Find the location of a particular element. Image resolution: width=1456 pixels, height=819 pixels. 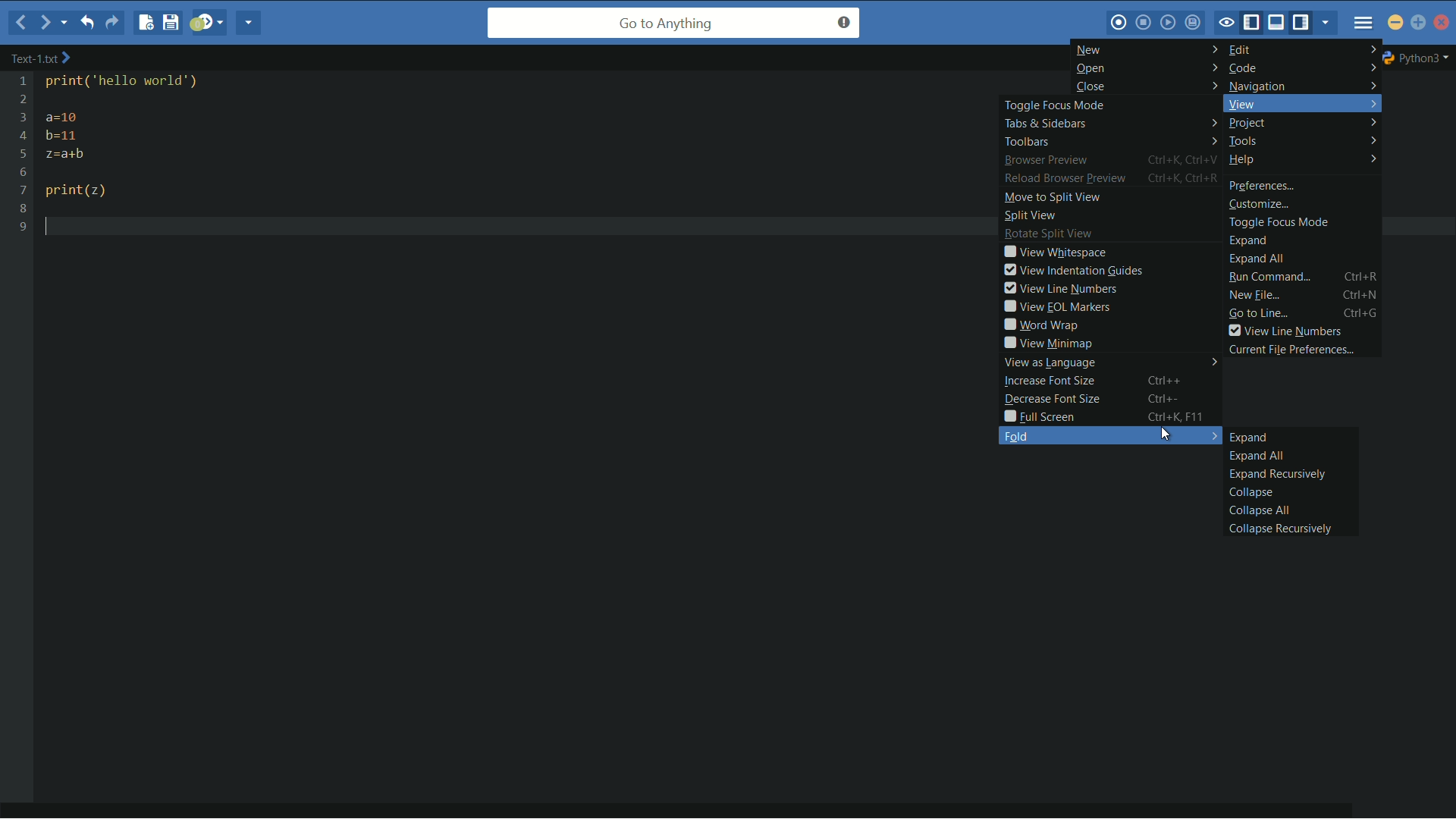

view minimap is located at coordinates (1047, 343).